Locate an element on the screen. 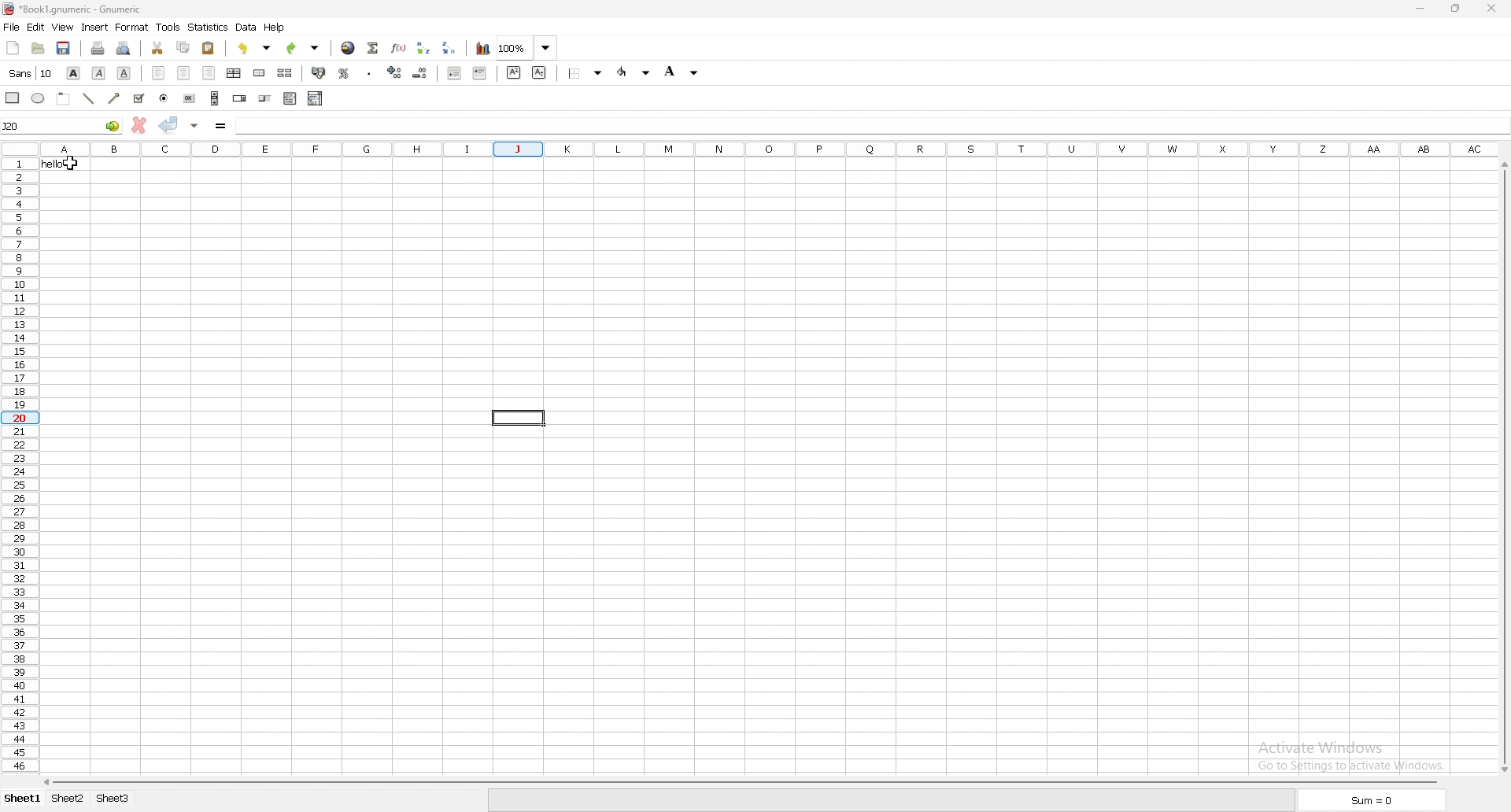  sort ascending is located at coordinates (423, 48).